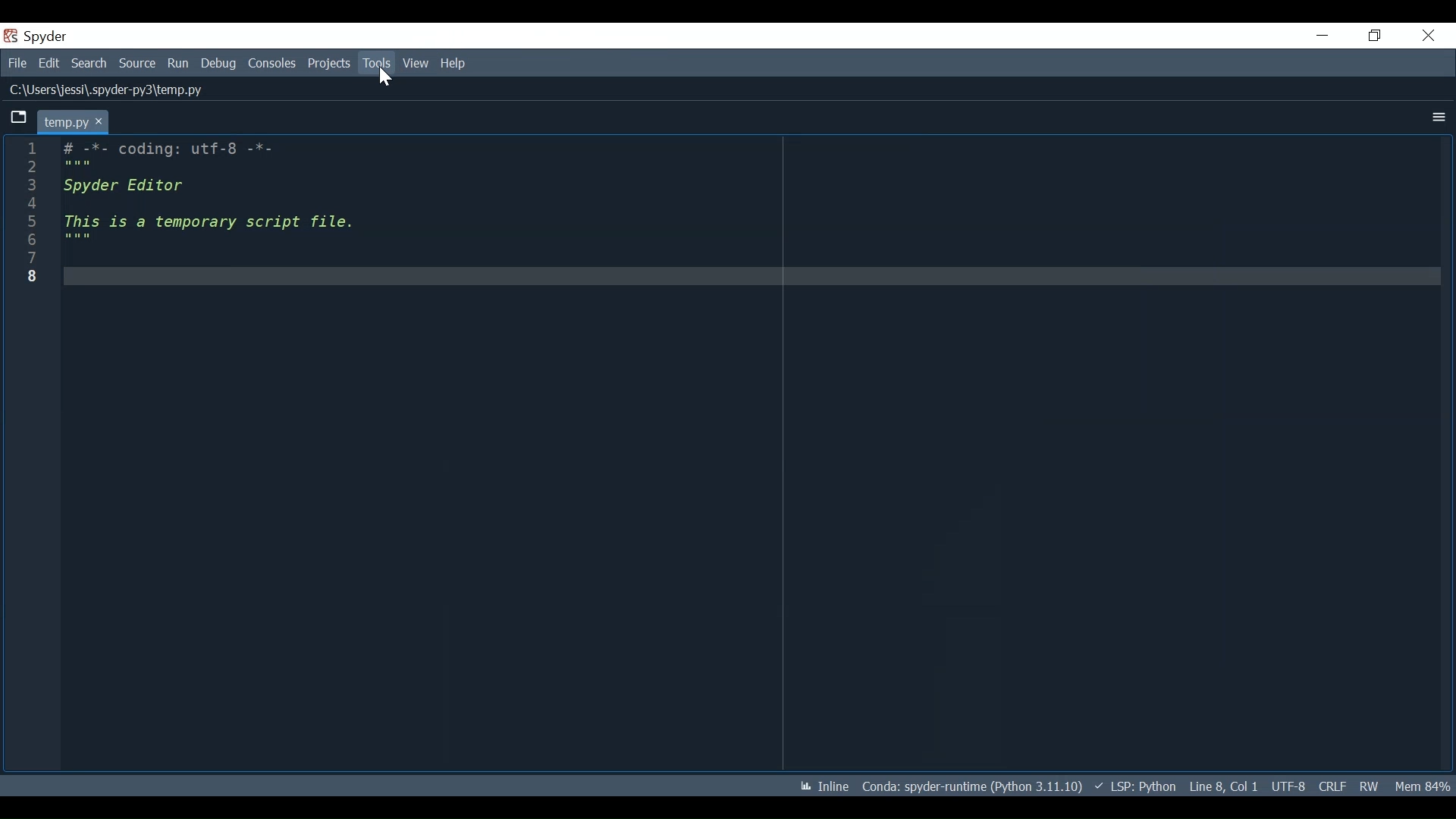 Image resolution: width=1456 pixels, height=819 pixels. I want to click on Line coulumn, so click(27, 457).